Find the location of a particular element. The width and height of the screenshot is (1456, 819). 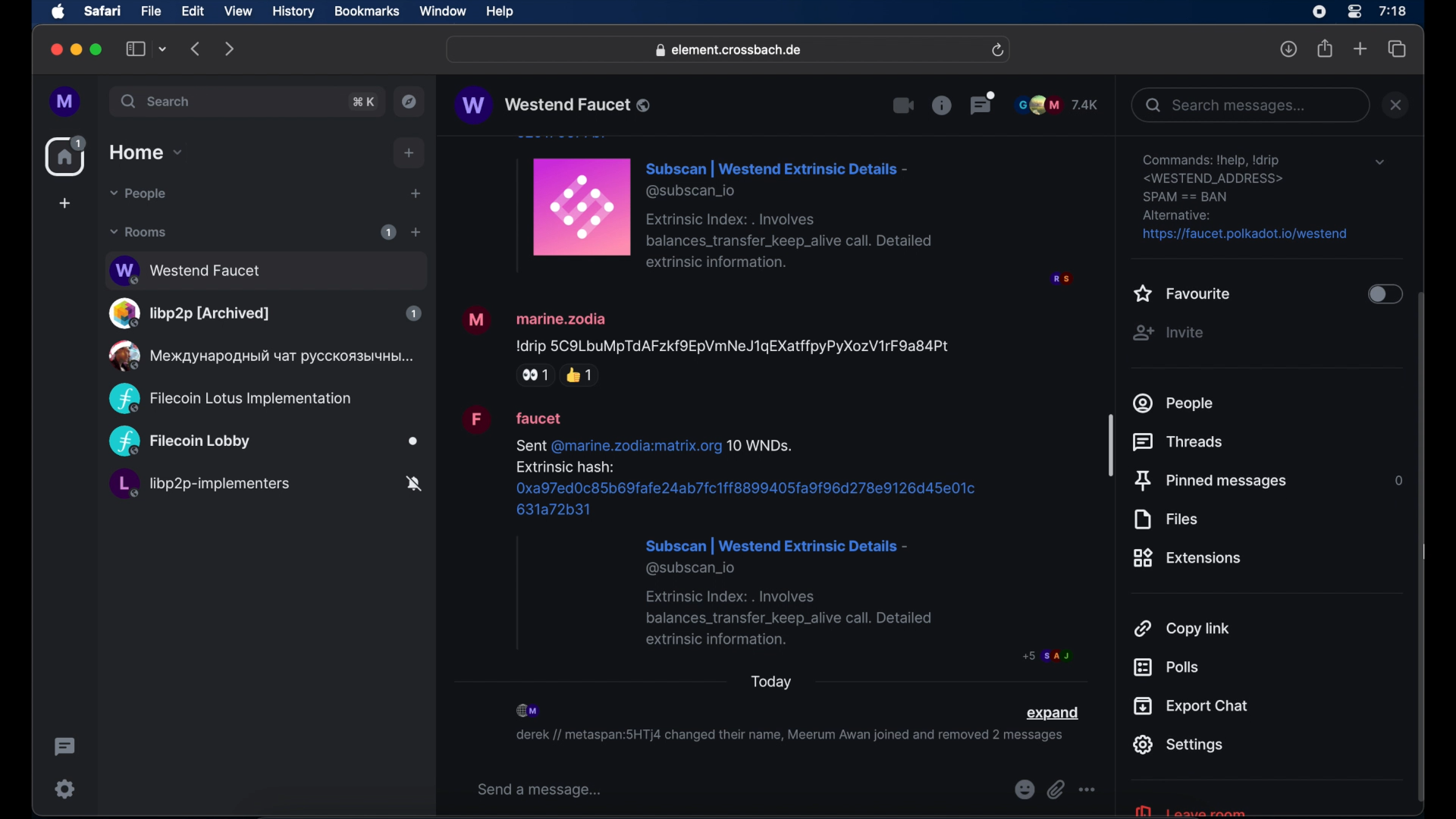

explore public rooms is located at coordinates (409, 102).